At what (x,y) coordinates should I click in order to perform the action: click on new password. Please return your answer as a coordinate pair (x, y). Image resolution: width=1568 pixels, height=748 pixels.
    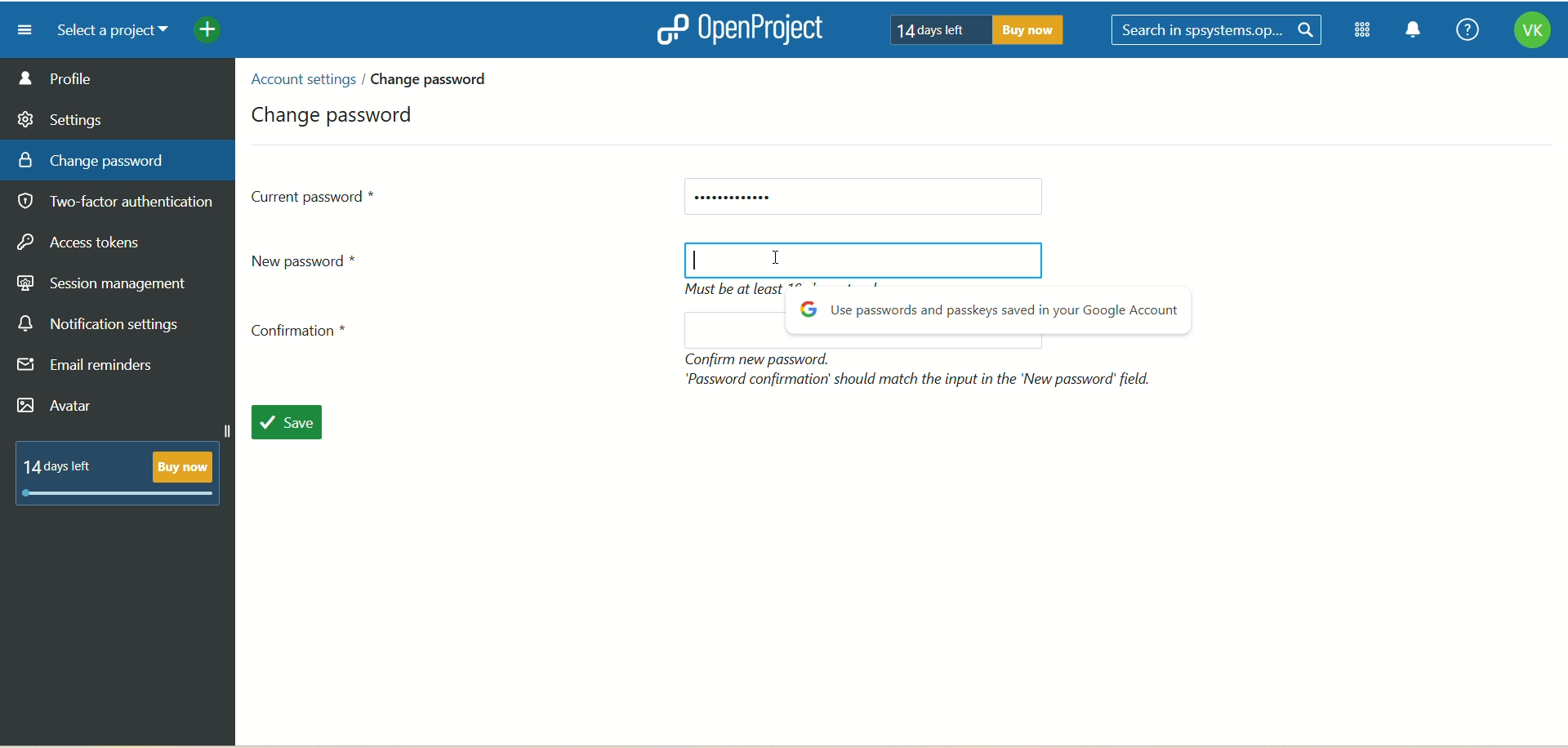
    Looking at the image, I should click on (312, 260).